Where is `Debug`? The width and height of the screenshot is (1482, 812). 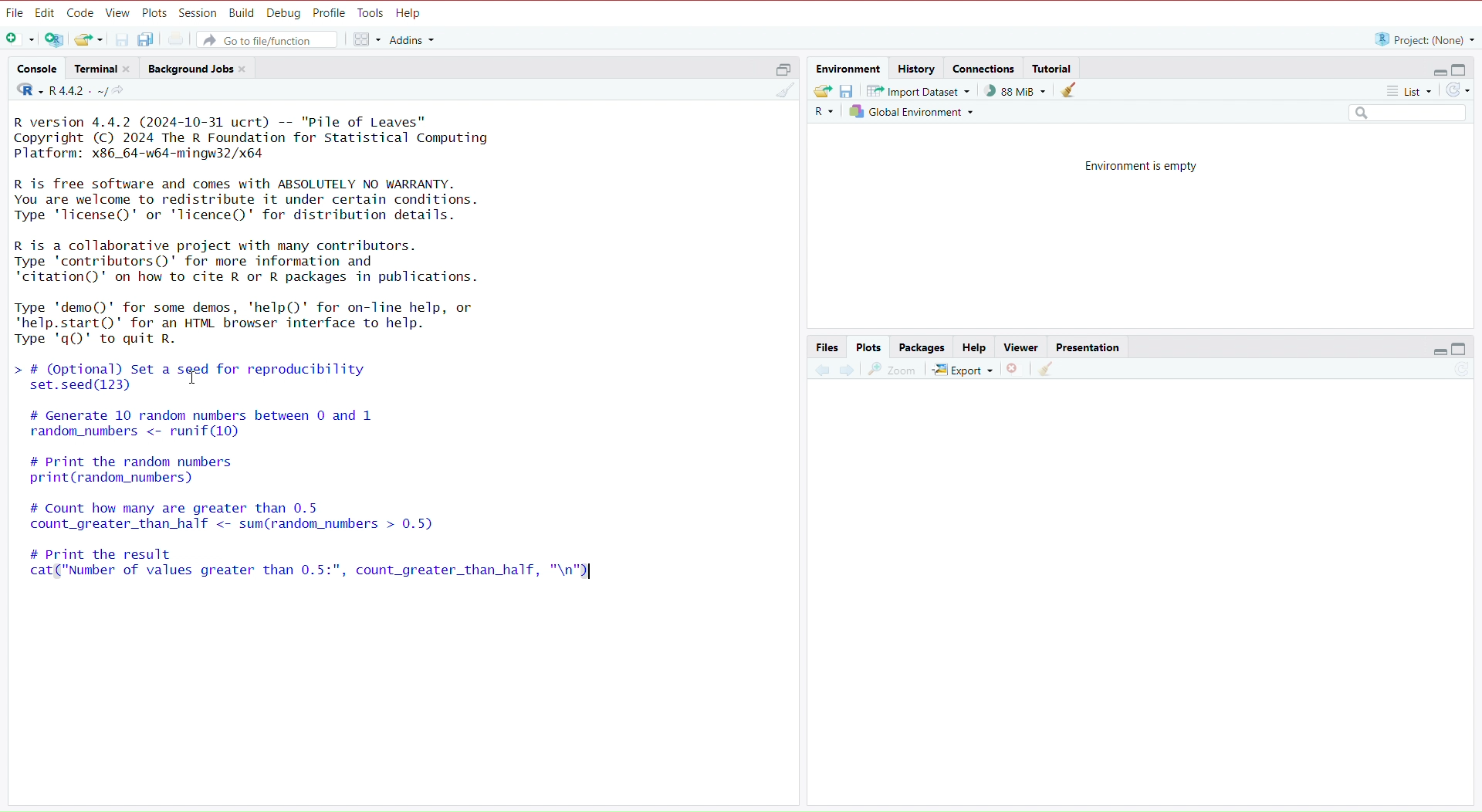
Debug is located at coordinates (284, 12).